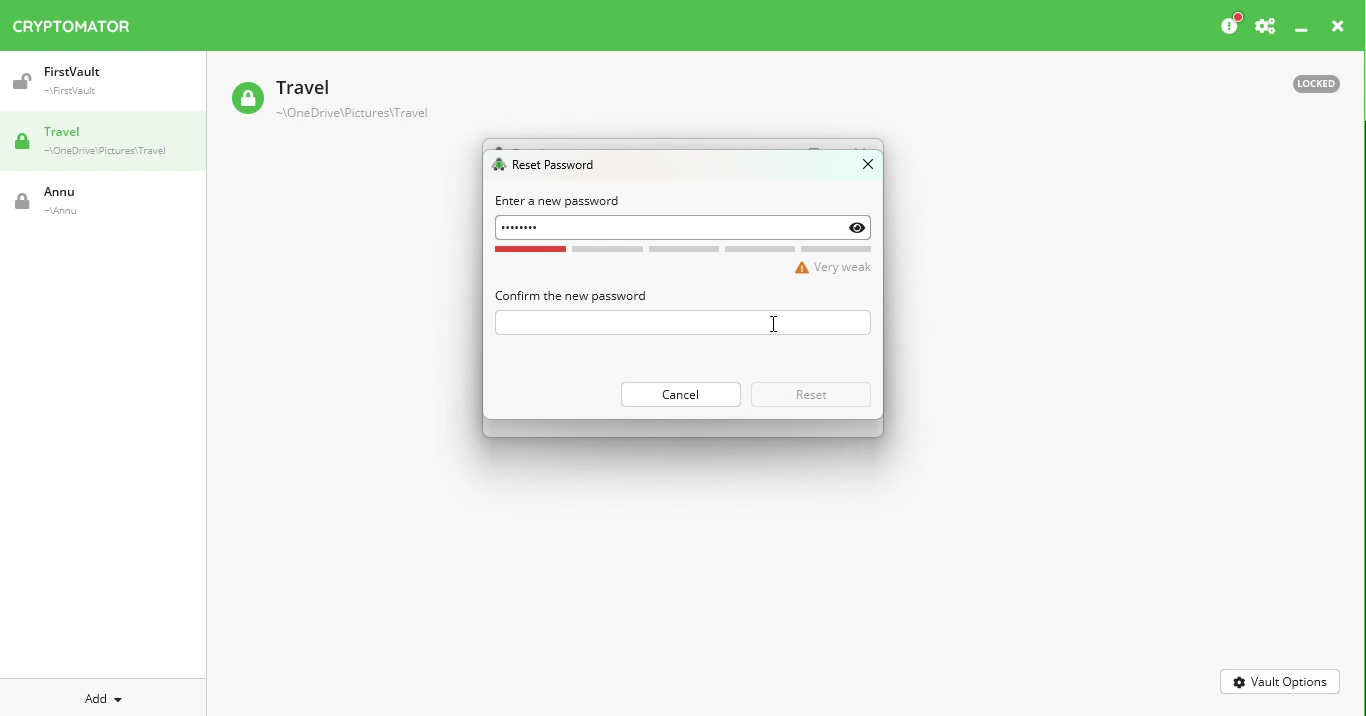 This screenshot has height=716, width=1366. I want to click on cursor, so click(777, 323).